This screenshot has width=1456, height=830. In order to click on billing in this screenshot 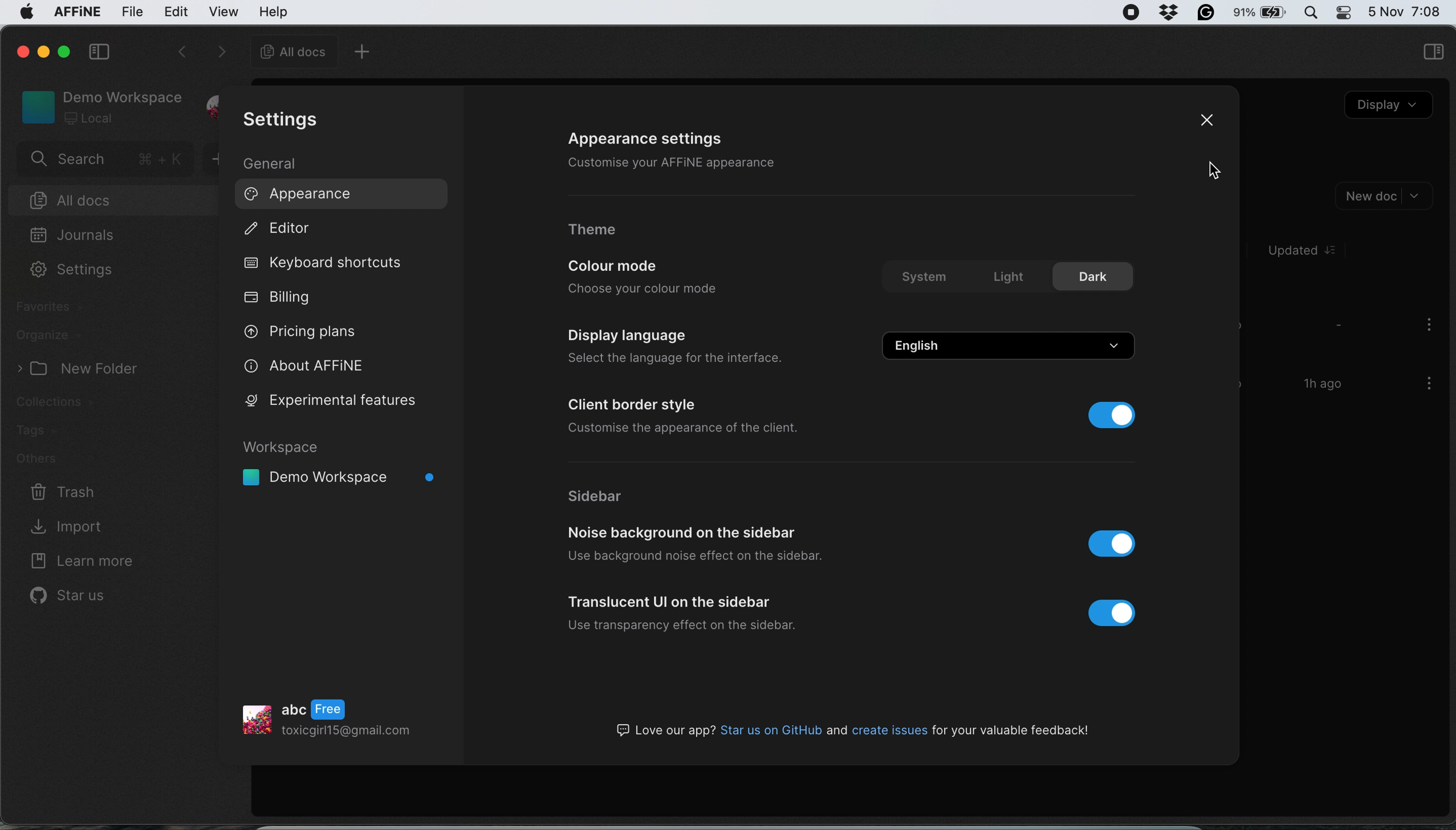, I will do `click(282, 296)`.